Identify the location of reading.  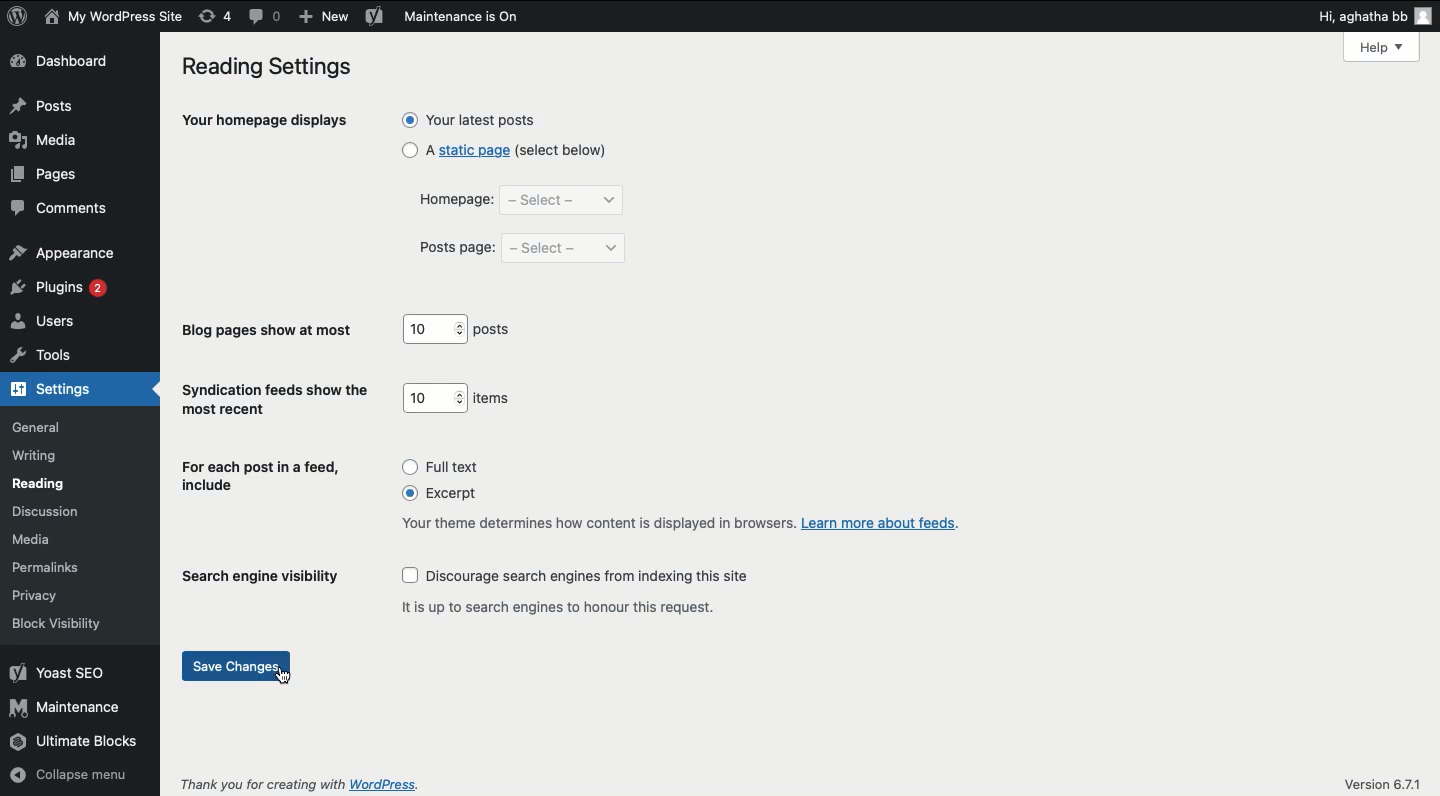
(42, 483).